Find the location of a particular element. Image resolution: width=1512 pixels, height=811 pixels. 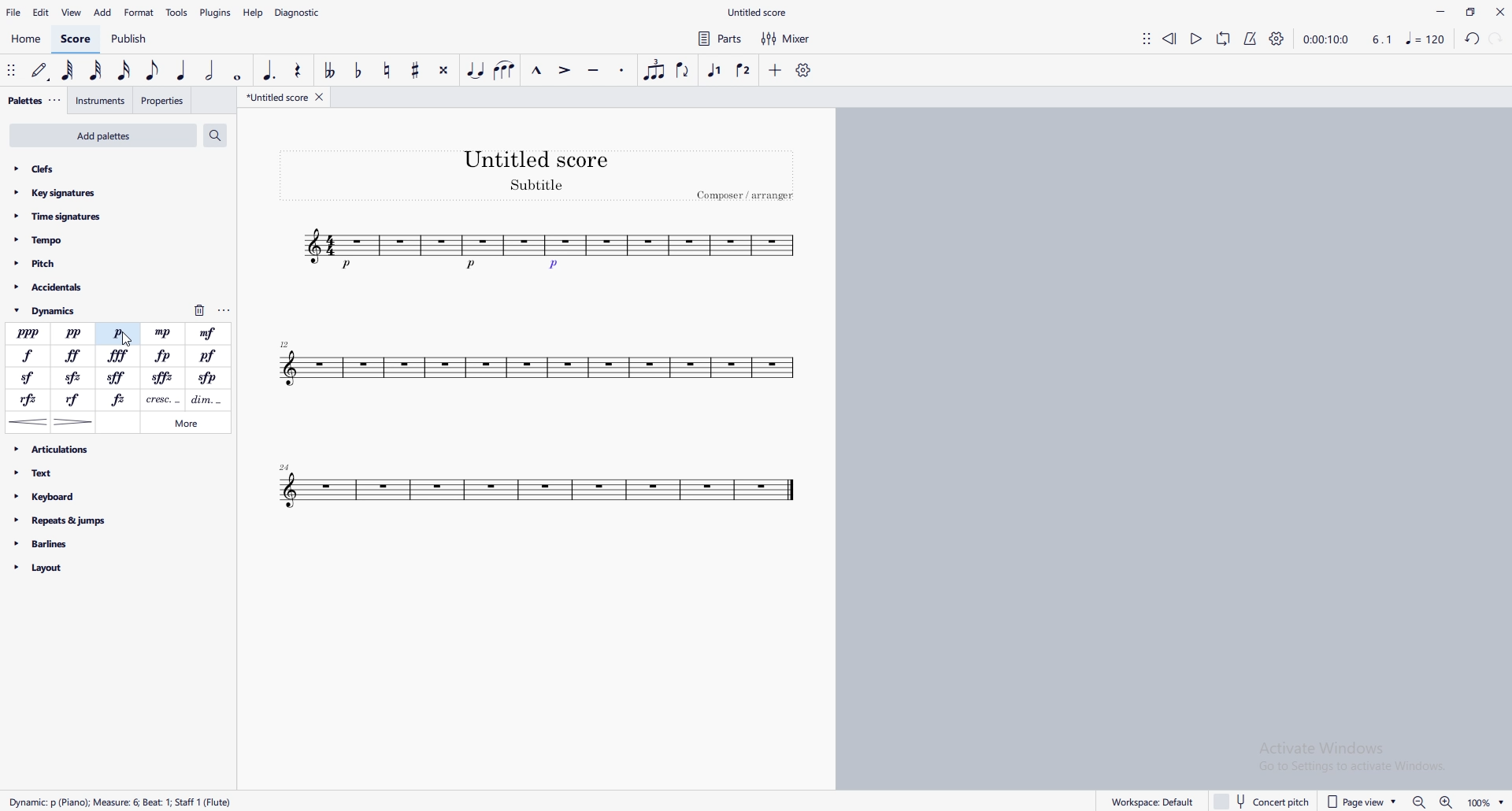

toggle sharp is located at coordinates (415, 70).